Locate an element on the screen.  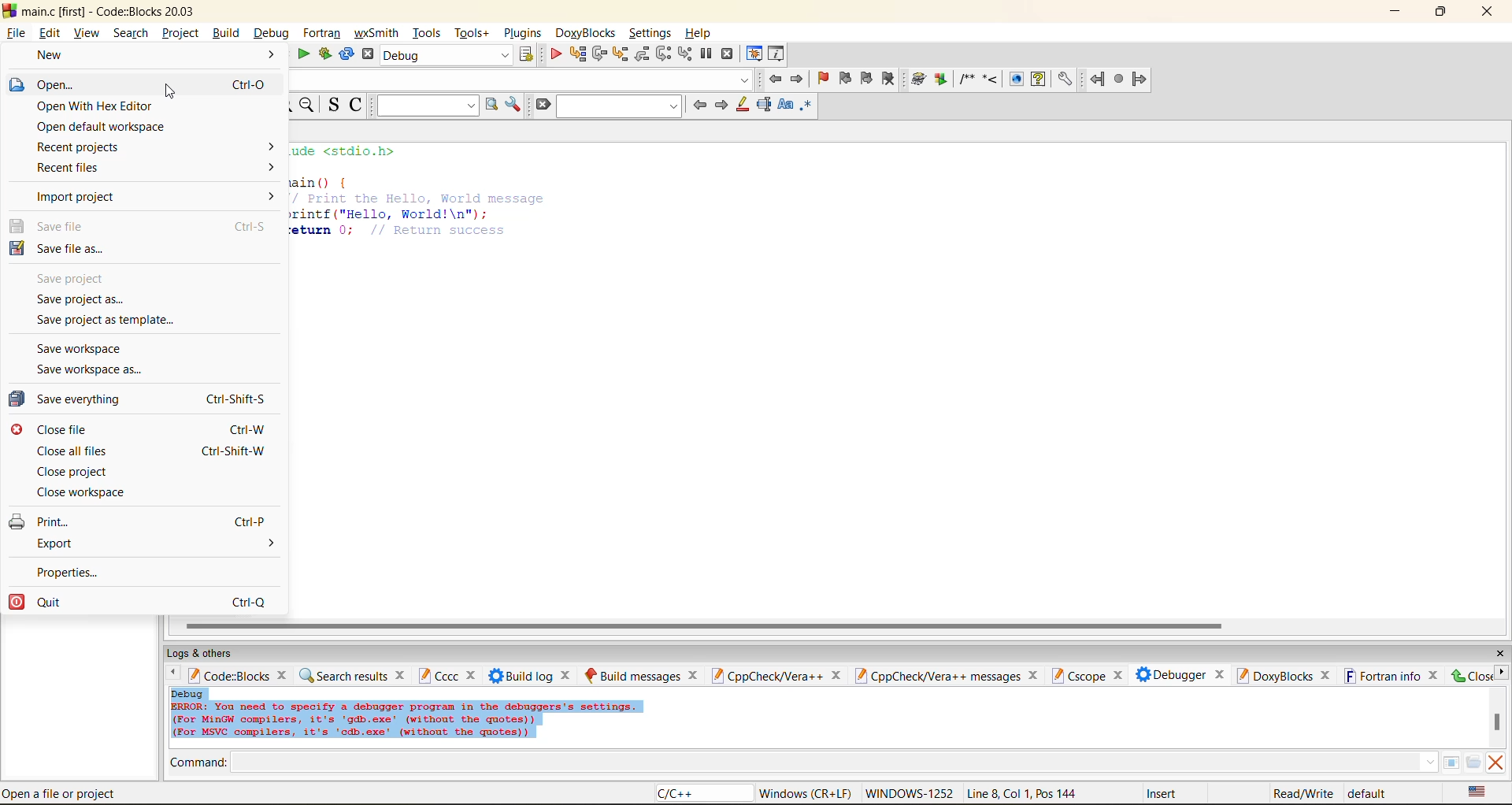
code:blocks is located at coordinates (228, 675).